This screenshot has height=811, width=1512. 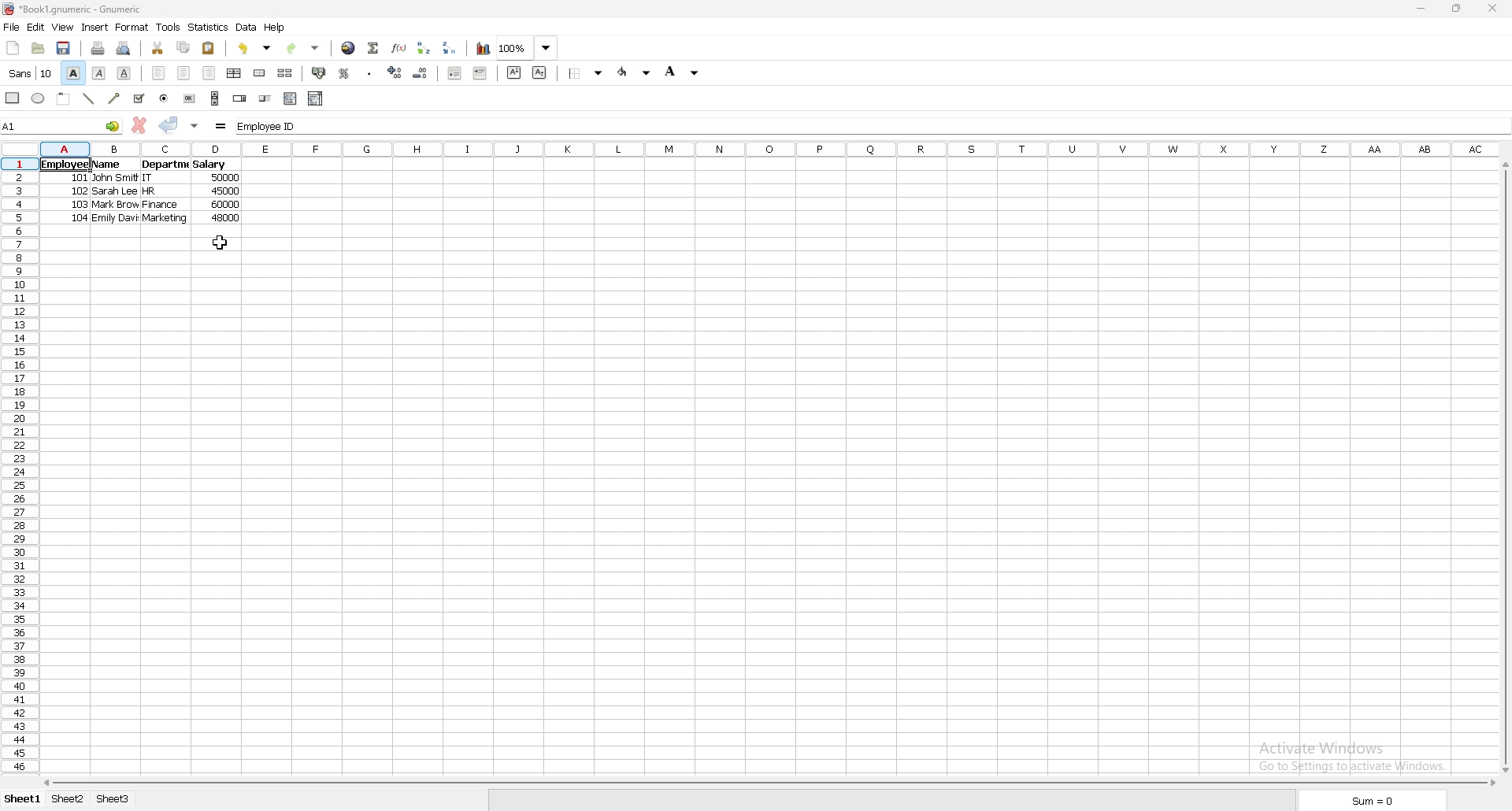 I want to click on row, so click(x=17, y=466).